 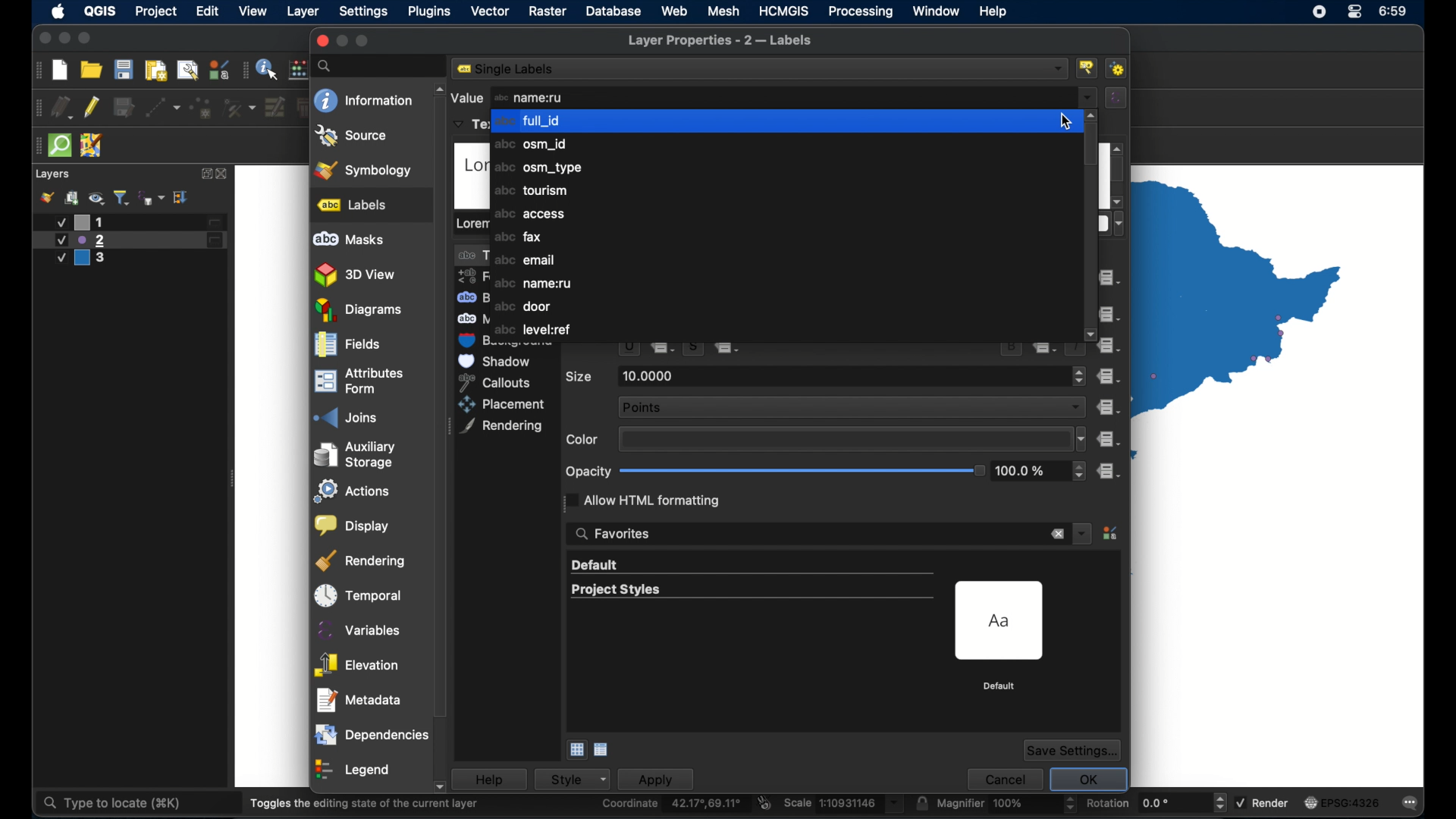 I want to click on data define d override, so click(x=665, y=350).